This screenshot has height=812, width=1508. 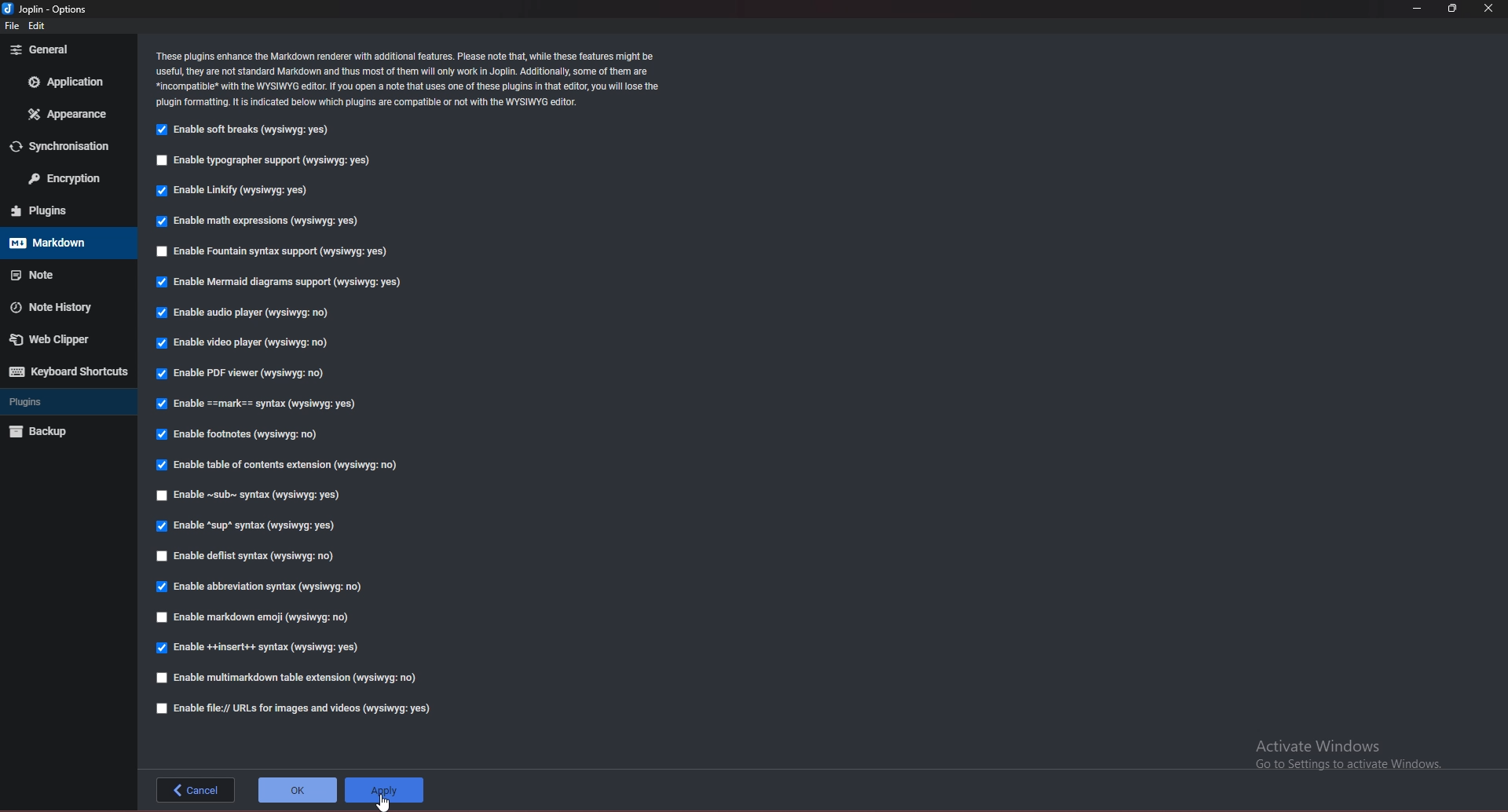 I want to click on apply, so click(x=384, y=790).